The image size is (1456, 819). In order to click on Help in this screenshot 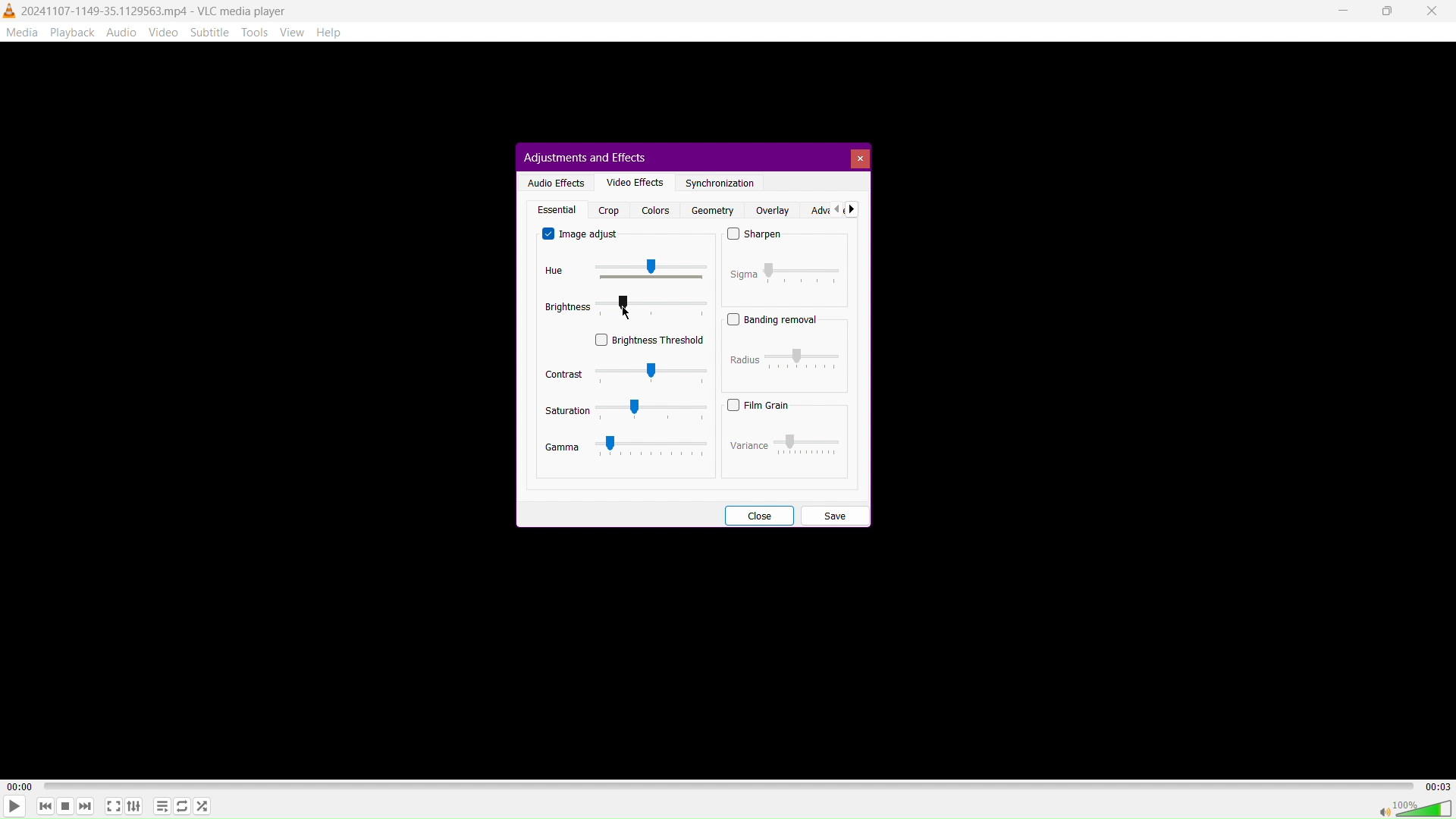, I will do `click(335, 33)`.